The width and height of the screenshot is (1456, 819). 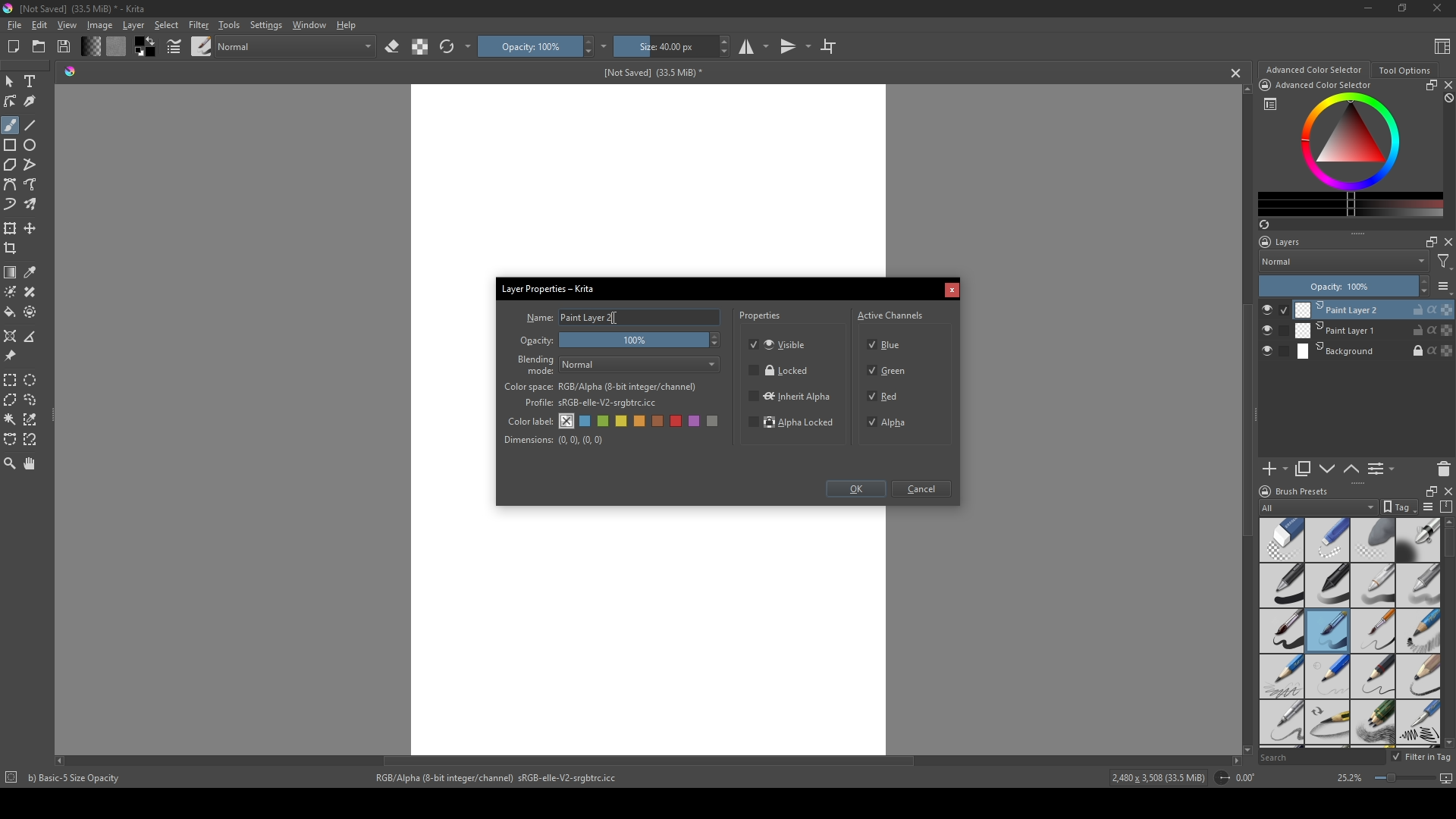 I want to click on decrease, so click(x=1423, y=293).